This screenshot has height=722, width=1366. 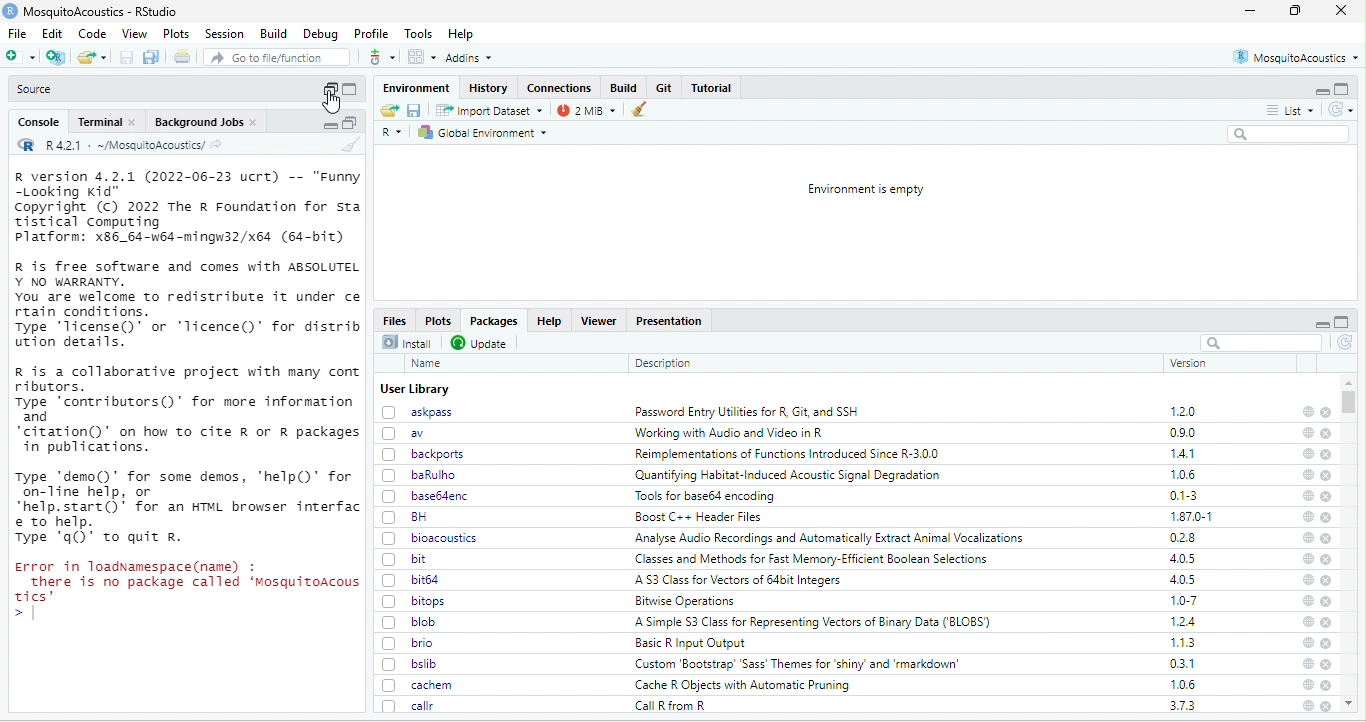 What do you see at coordinates (1189, 363) in the screenshot?
I see `version` at bounding box center [1189, 363].